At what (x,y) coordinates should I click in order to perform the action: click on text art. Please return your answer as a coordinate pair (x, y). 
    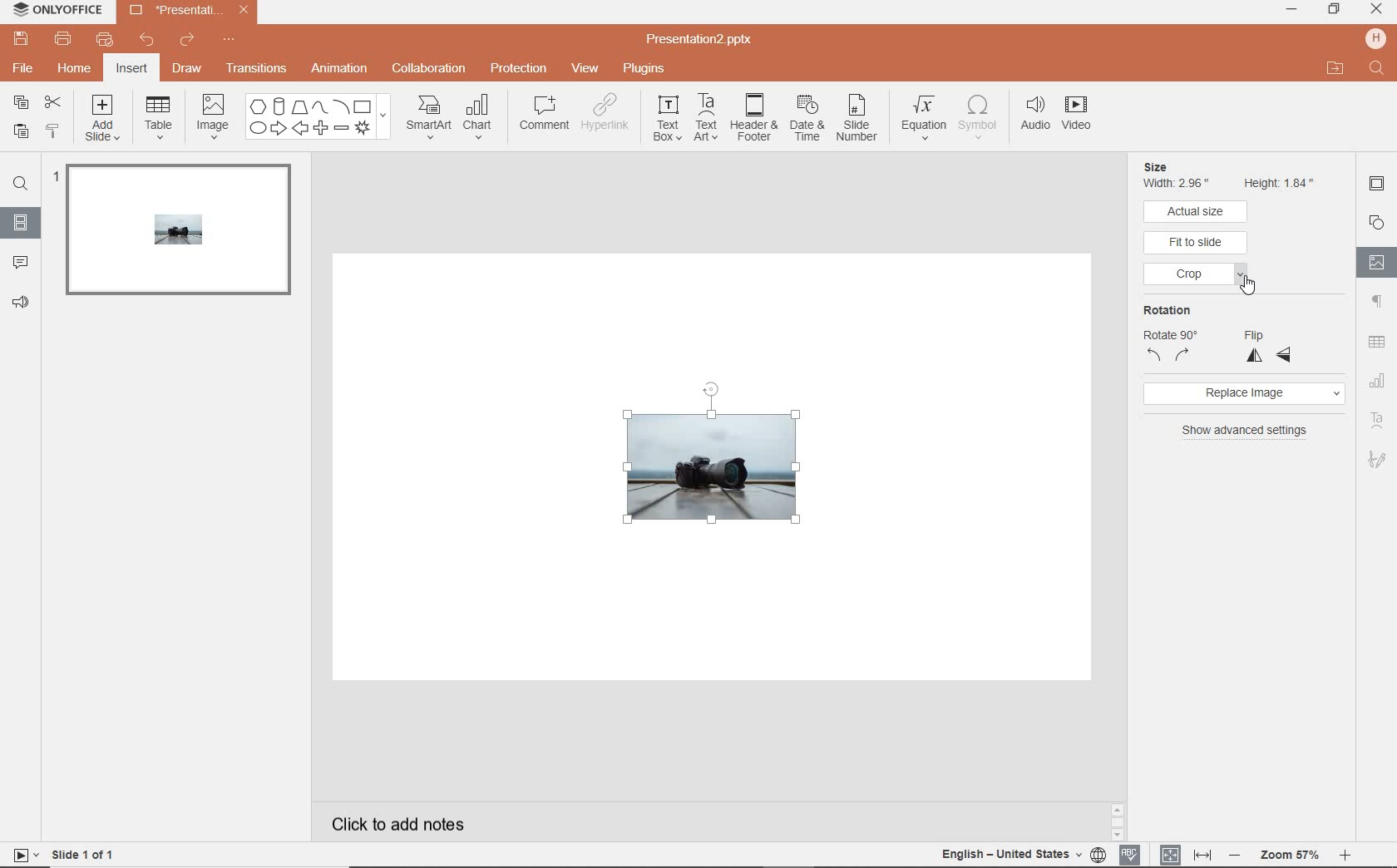
    Looking at the image, I should click on (1377, 421).